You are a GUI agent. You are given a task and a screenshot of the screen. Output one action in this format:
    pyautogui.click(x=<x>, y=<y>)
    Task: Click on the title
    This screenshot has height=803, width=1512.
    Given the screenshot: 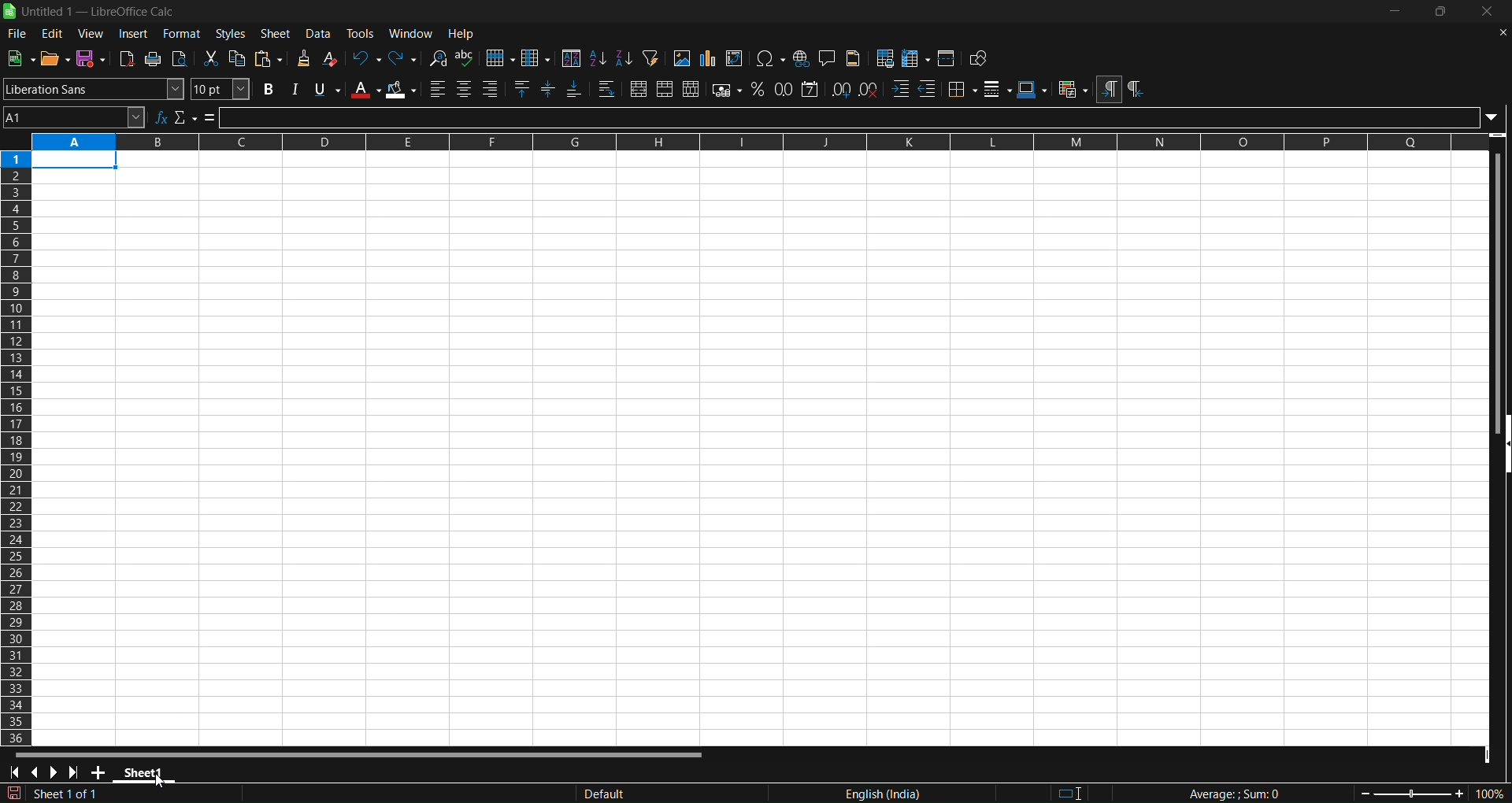 What is the action you would take?
    pyautogui.click(x=98, y=12)
    